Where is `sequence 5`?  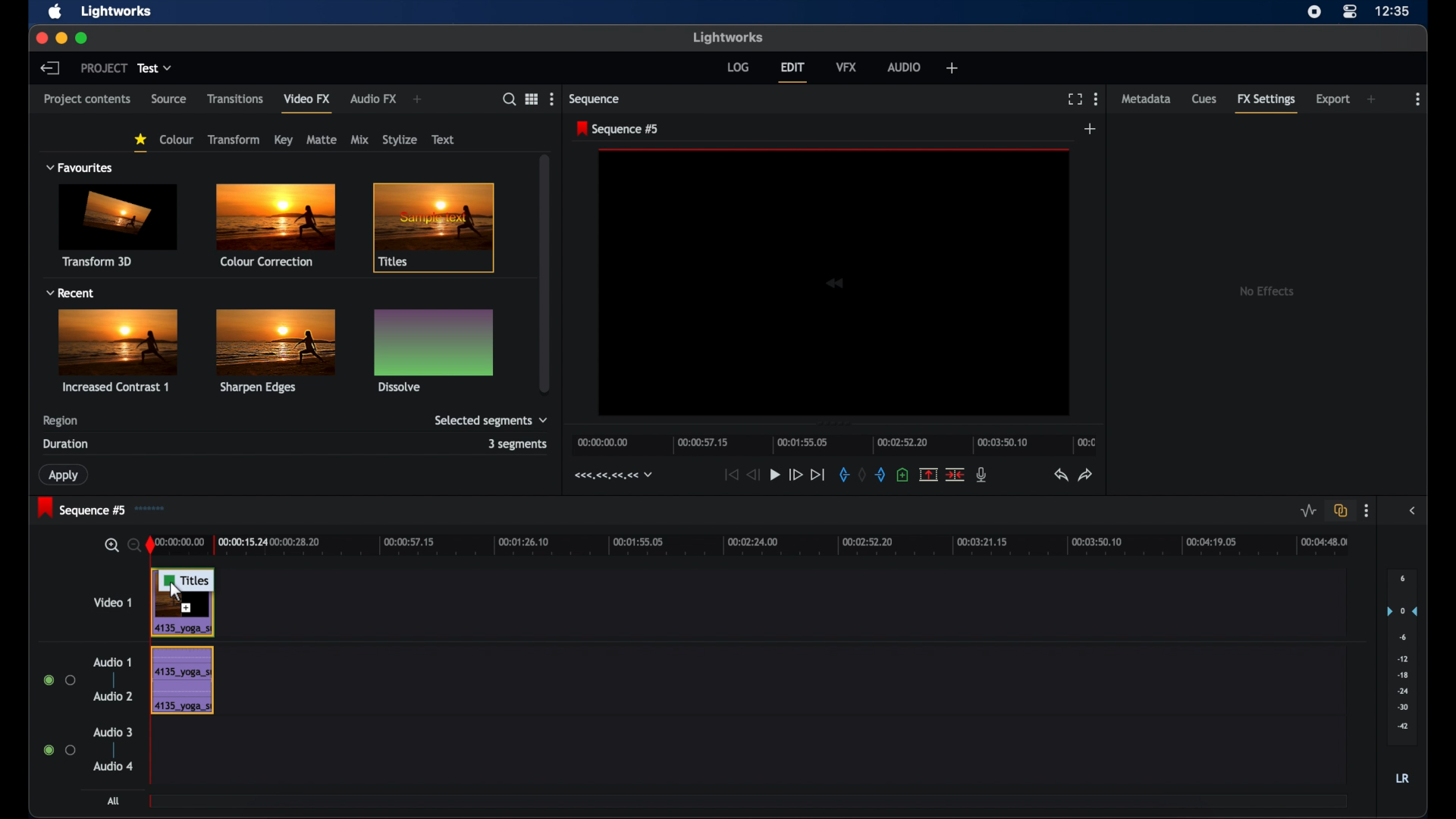
sequence 5 is located at coordinates (81, 508).